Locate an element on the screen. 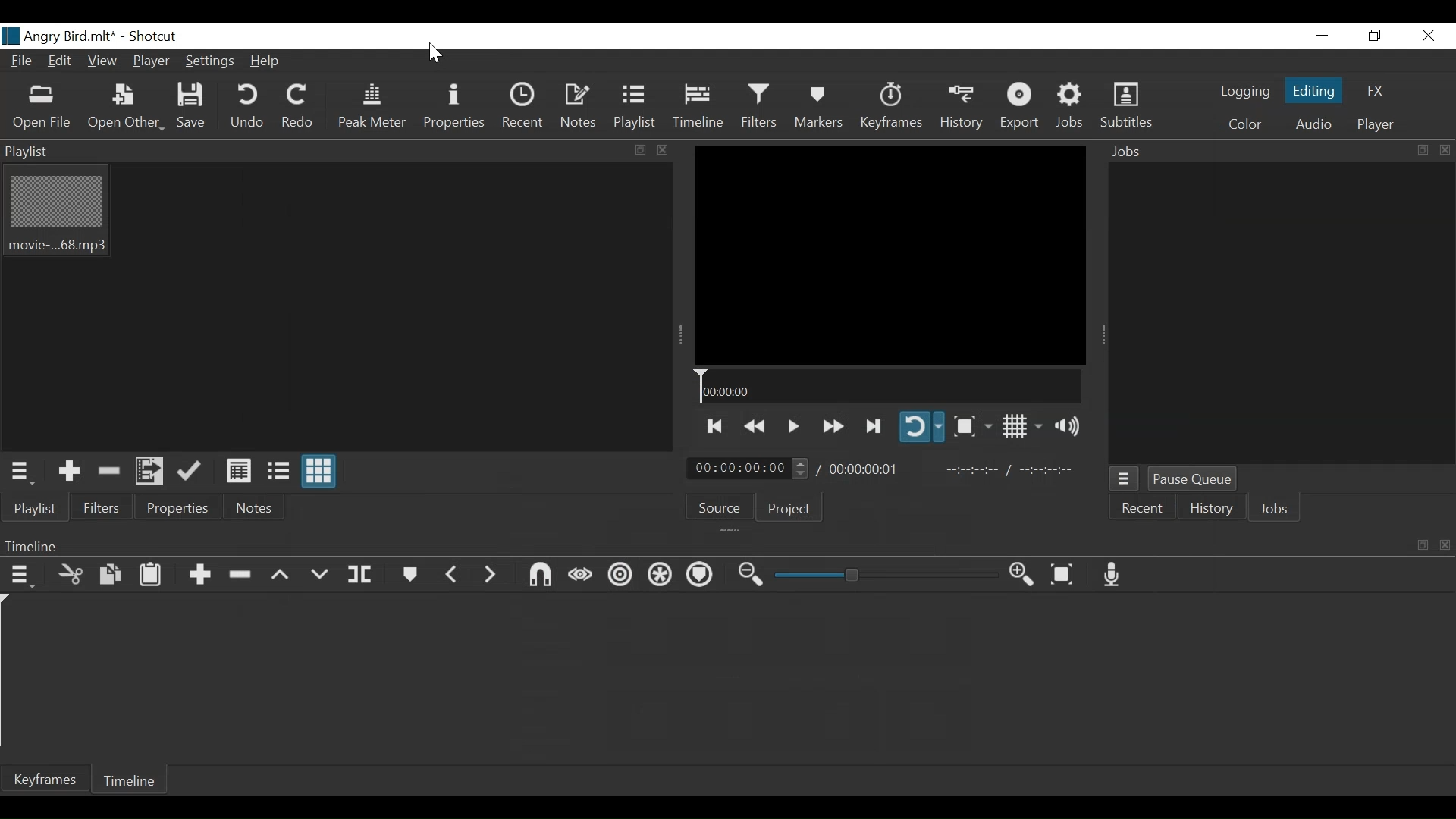 This screenshot has height=819, width=1456. History is located at coordinates (961, 107).